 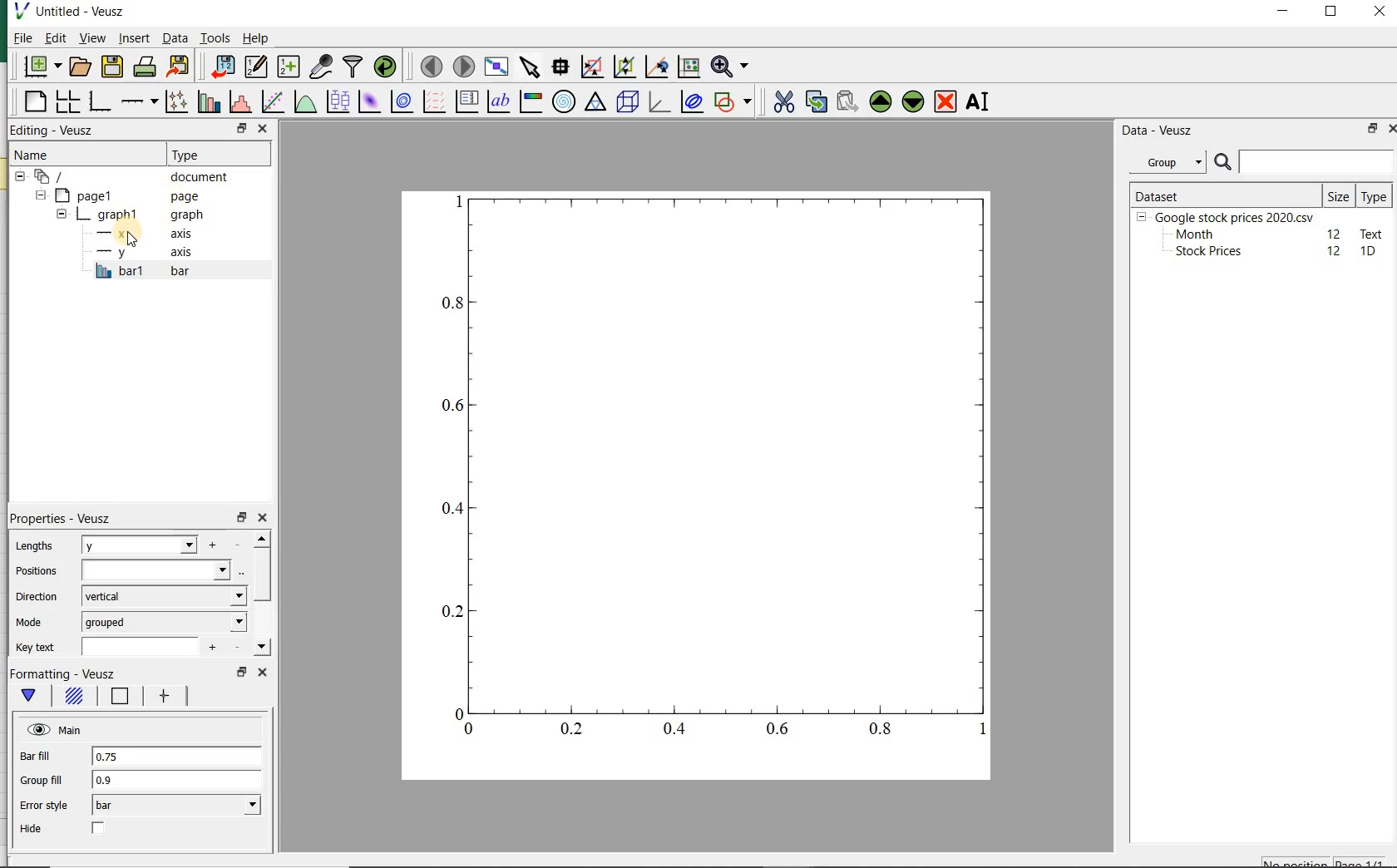 What do you see at coordinates (1163, 162) in the screenshot?
I see `Group datasets with property given` at bounding box center [1163, 162].